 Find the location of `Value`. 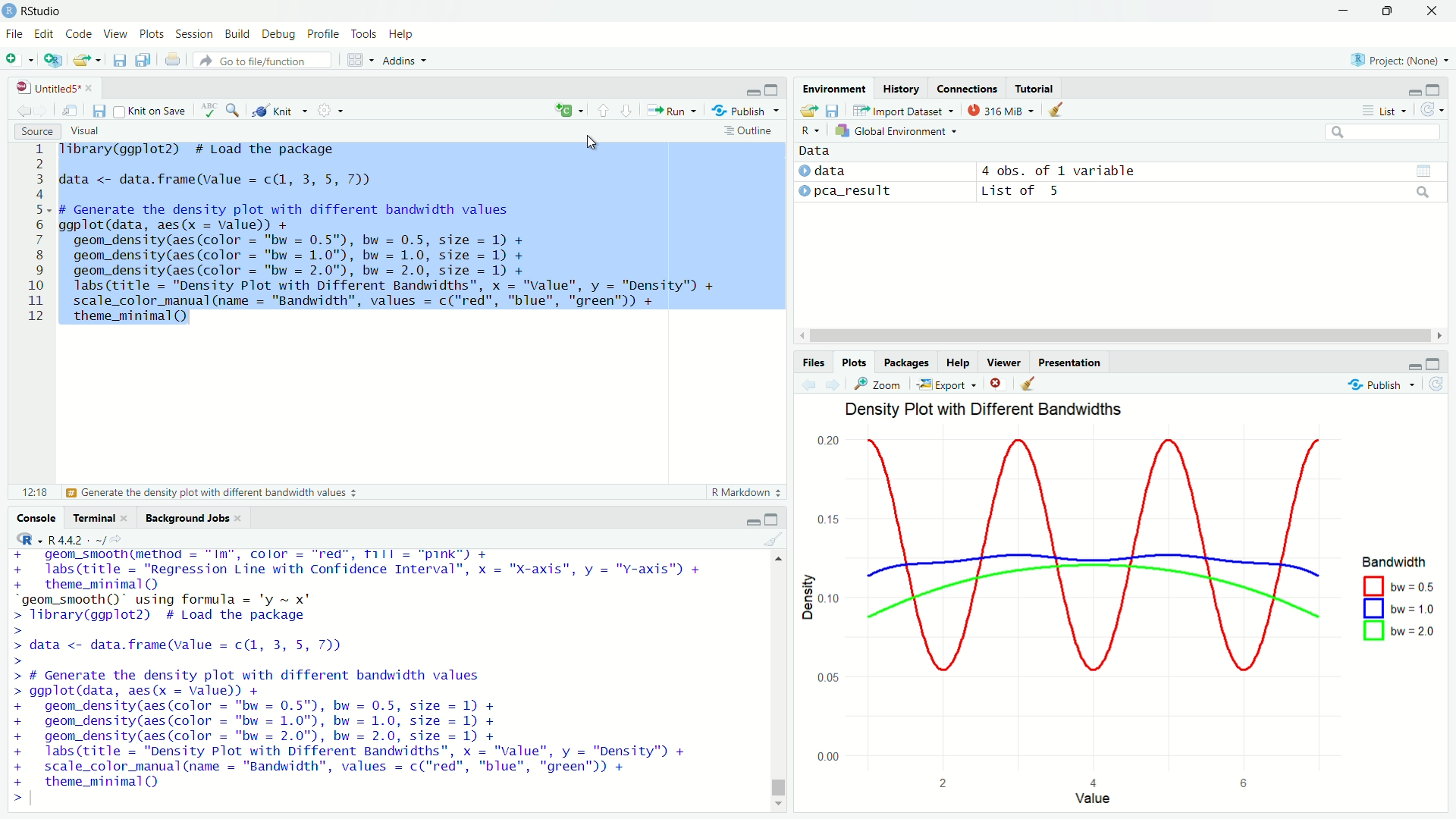

Value is located at coordinates (1093, 799).